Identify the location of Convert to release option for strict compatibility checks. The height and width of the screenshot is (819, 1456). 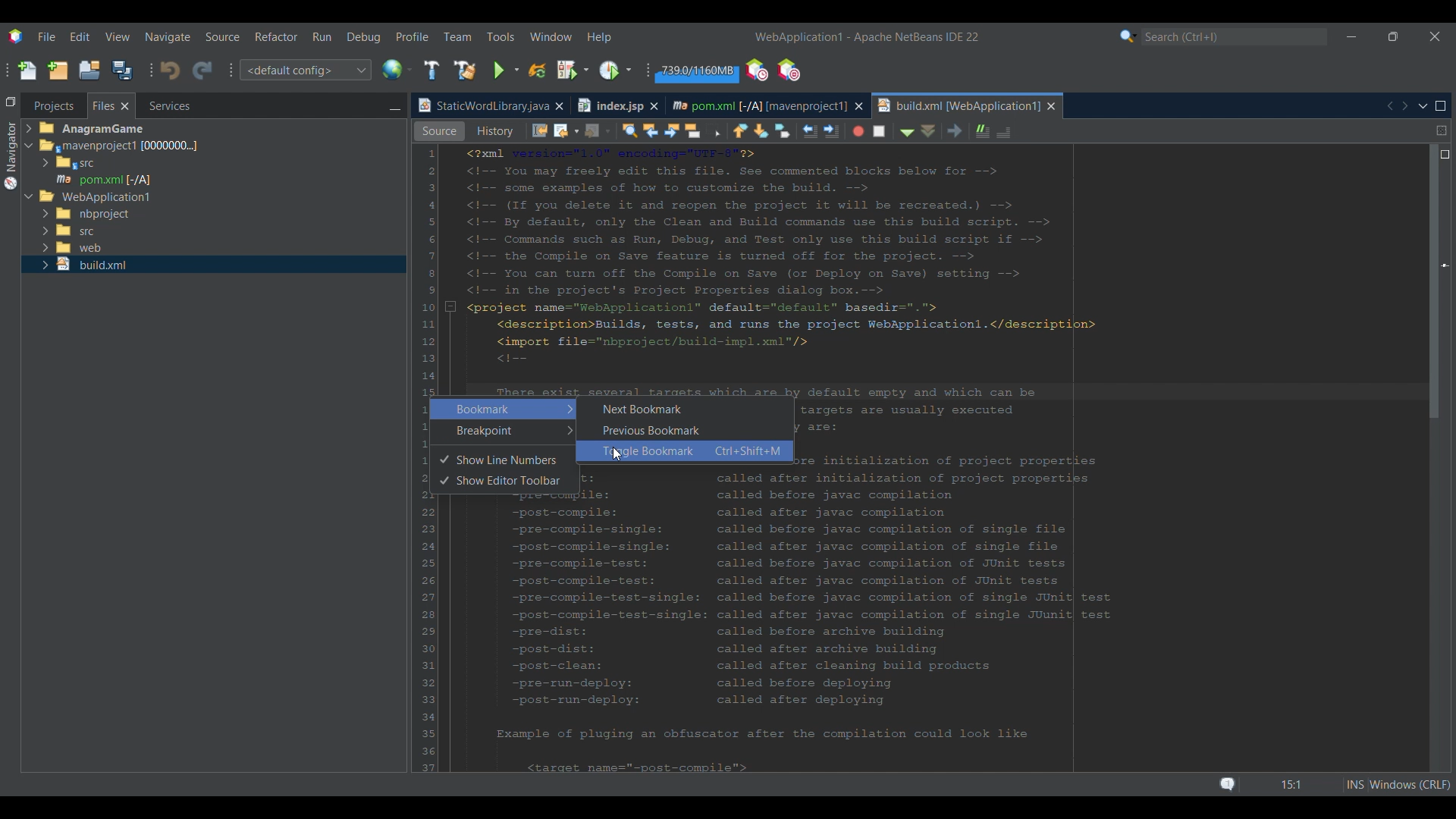
(431, 317).